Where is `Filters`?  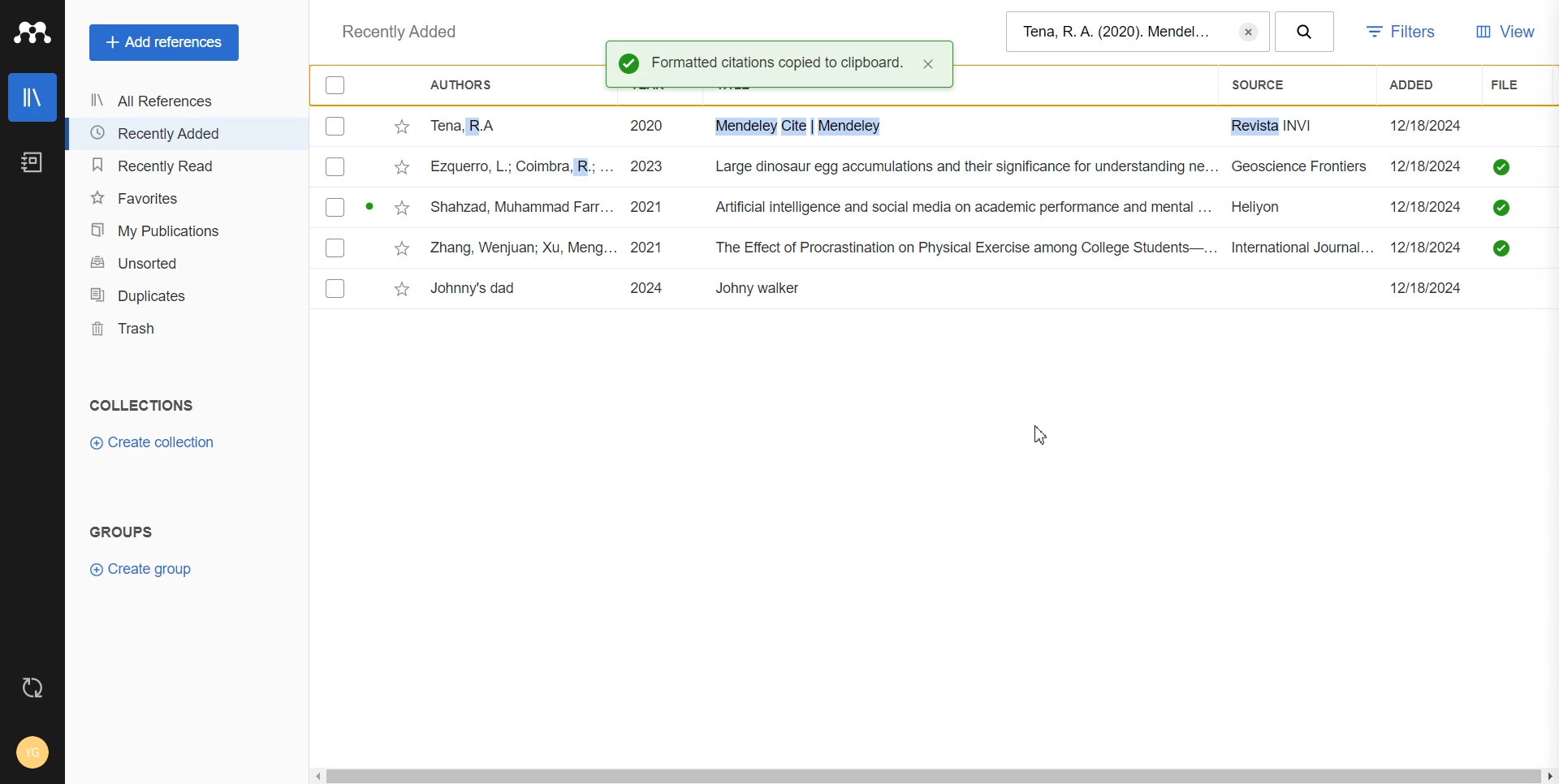 Filters is located at coordinates (1406, 34).